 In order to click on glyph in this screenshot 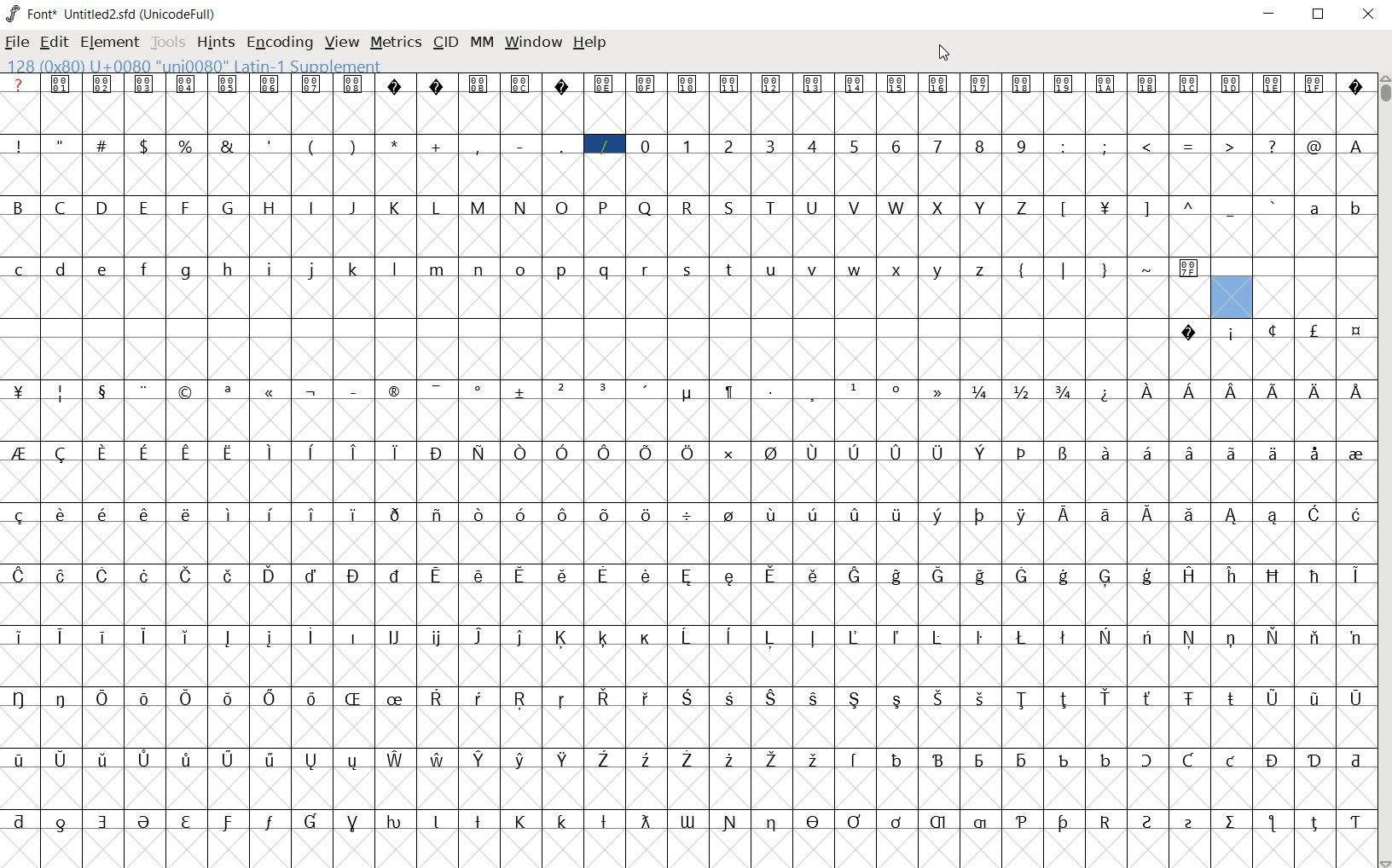, I will do `click(143, 269)`.